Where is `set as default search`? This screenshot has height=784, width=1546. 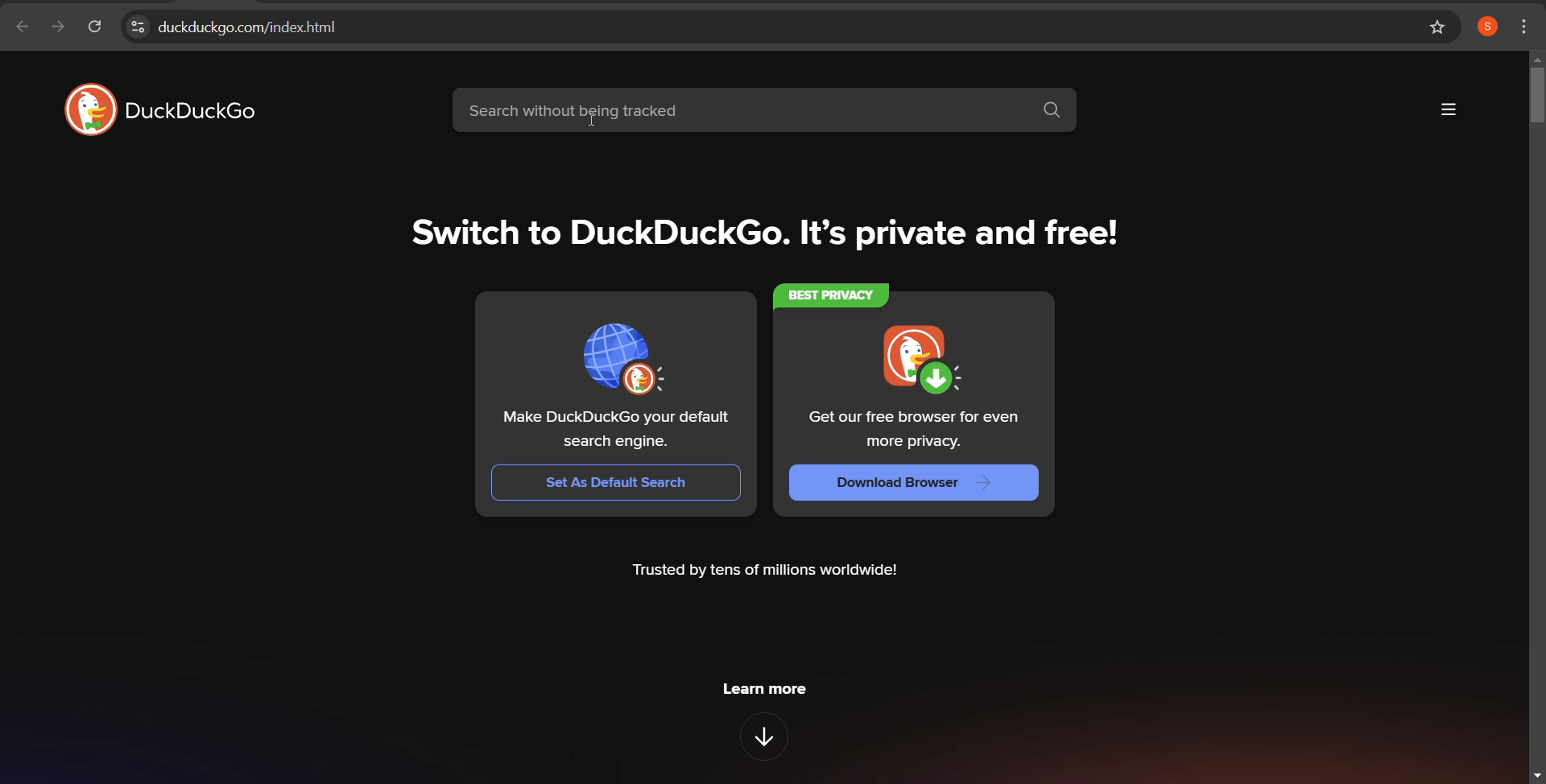 set as default search is located at coordinates (617, 345).